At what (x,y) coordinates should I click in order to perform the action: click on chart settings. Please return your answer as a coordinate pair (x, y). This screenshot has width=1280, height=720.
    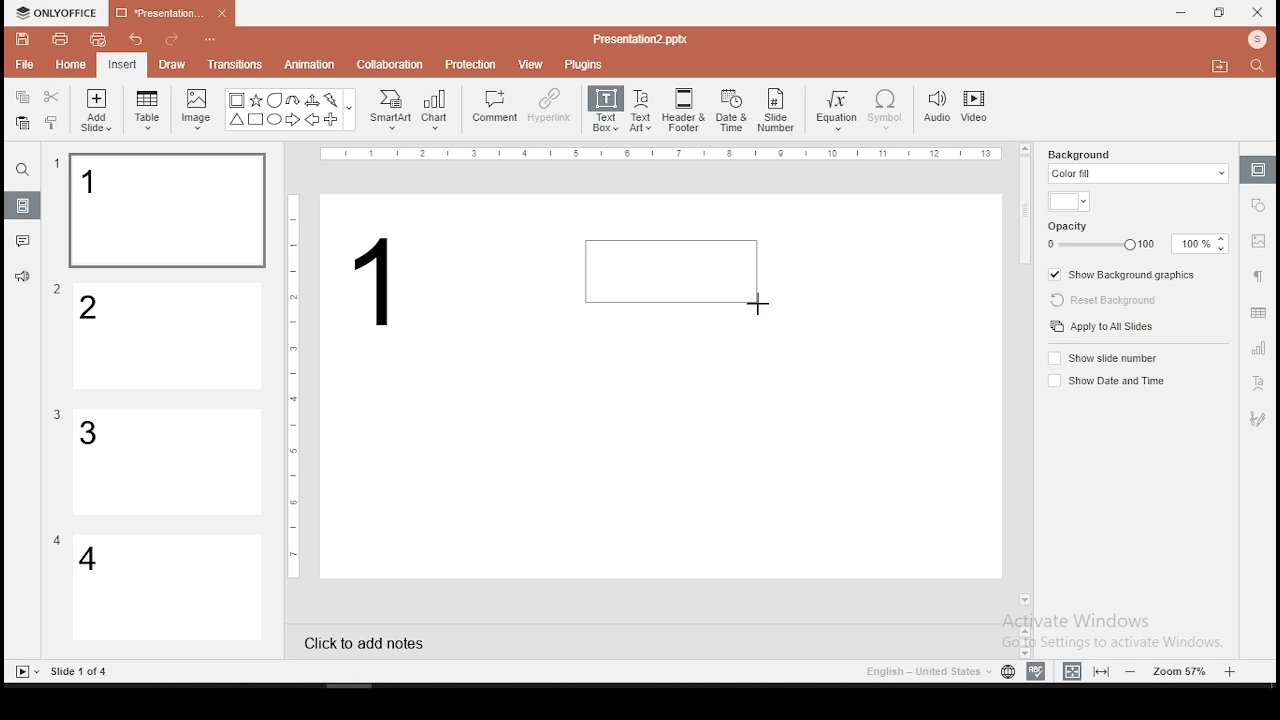
    Looking at the image, I should click on (1257, 348).